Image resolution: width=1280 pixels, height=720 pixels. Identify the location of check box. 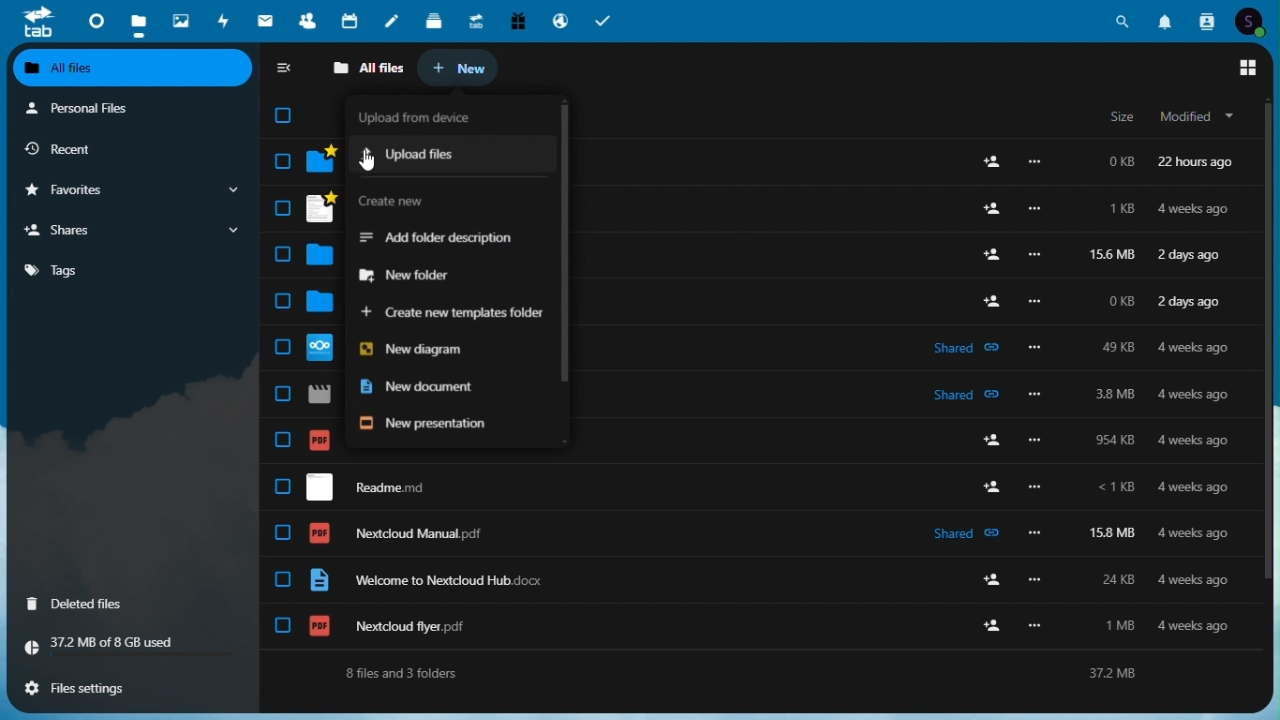
(283, 160).